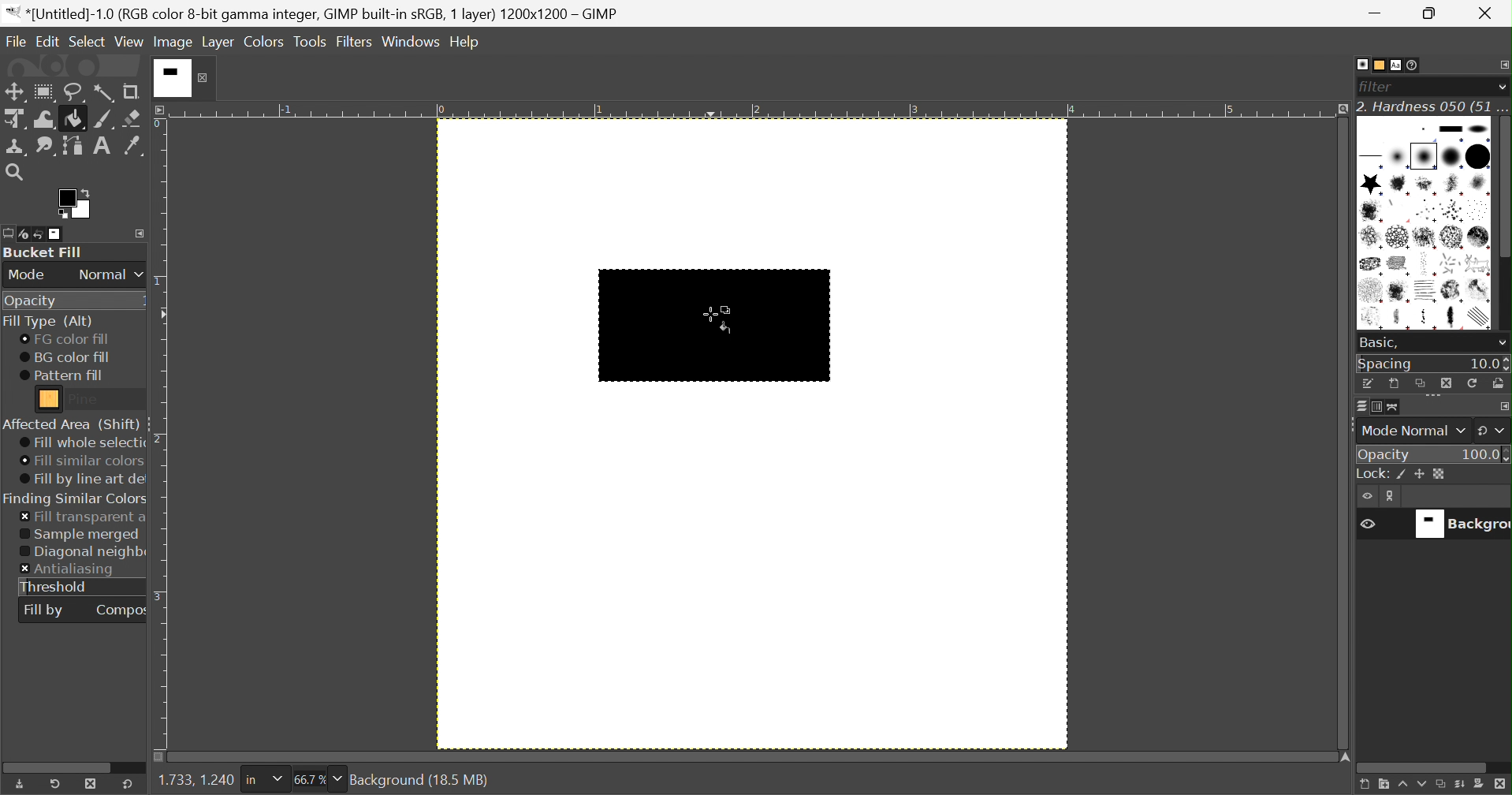 Image resolution: width=1512 pixels, height=795 pixels. What do you see at coordinates (1451, 291) in the screenshot?
I see `Oils` at bounding box center [1451, 291].